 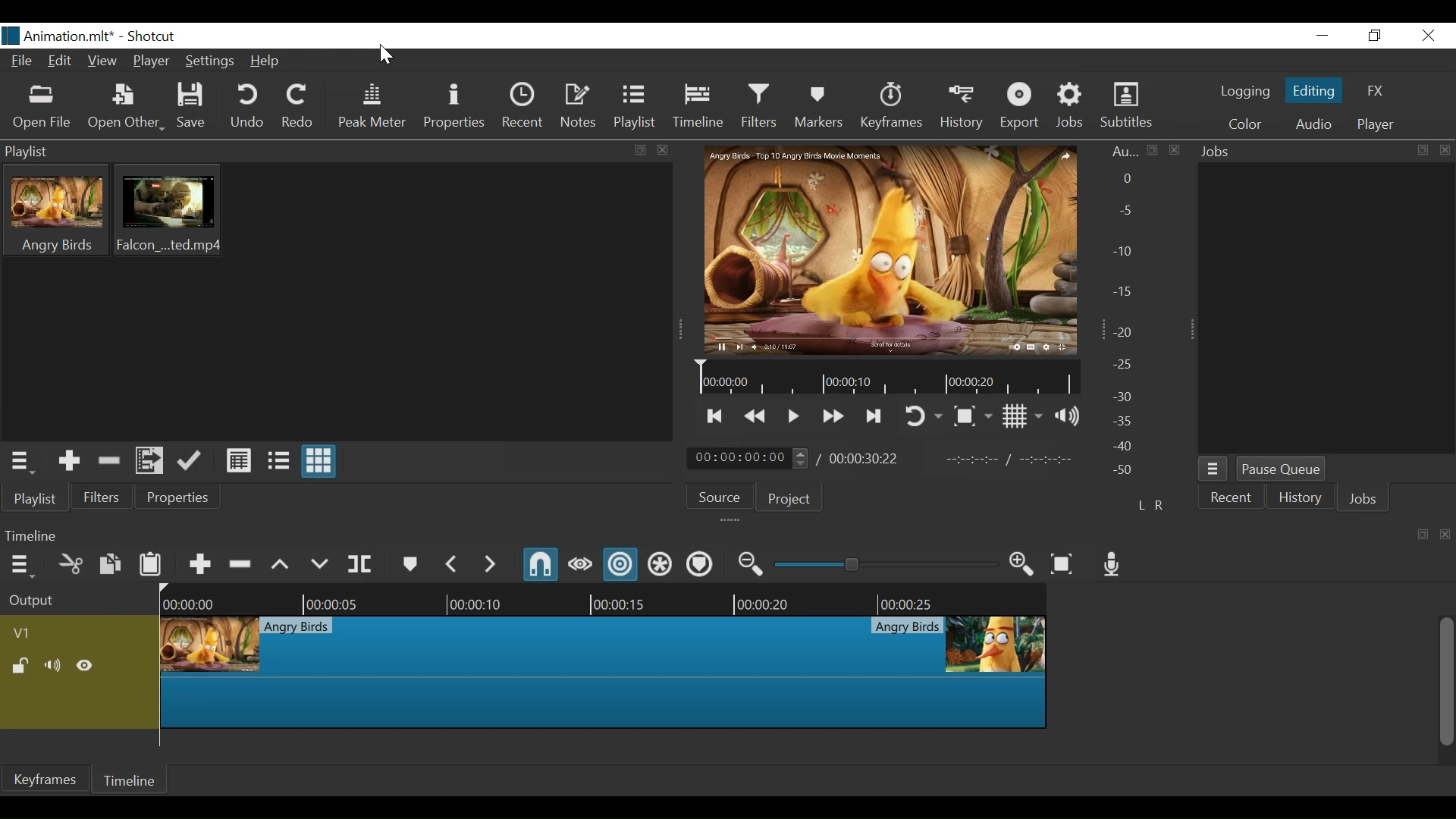 What do you see at coordinates (20, 461) in the screenshot?
I see `Playlist Menu` at bounding box center [20, 461].